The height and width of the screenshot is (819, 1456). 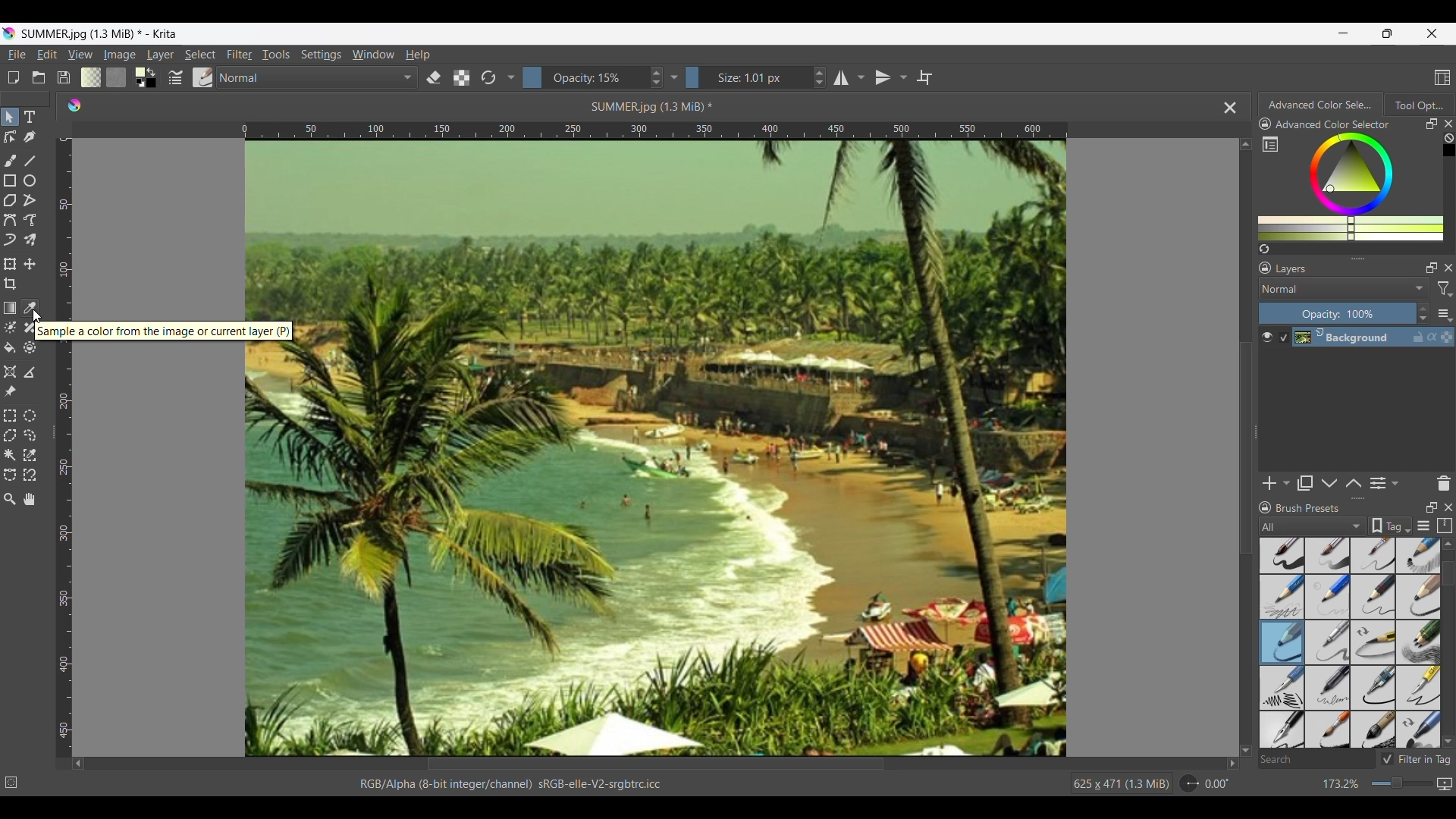 I want to click on Tag, so click(x=1390, y=526).